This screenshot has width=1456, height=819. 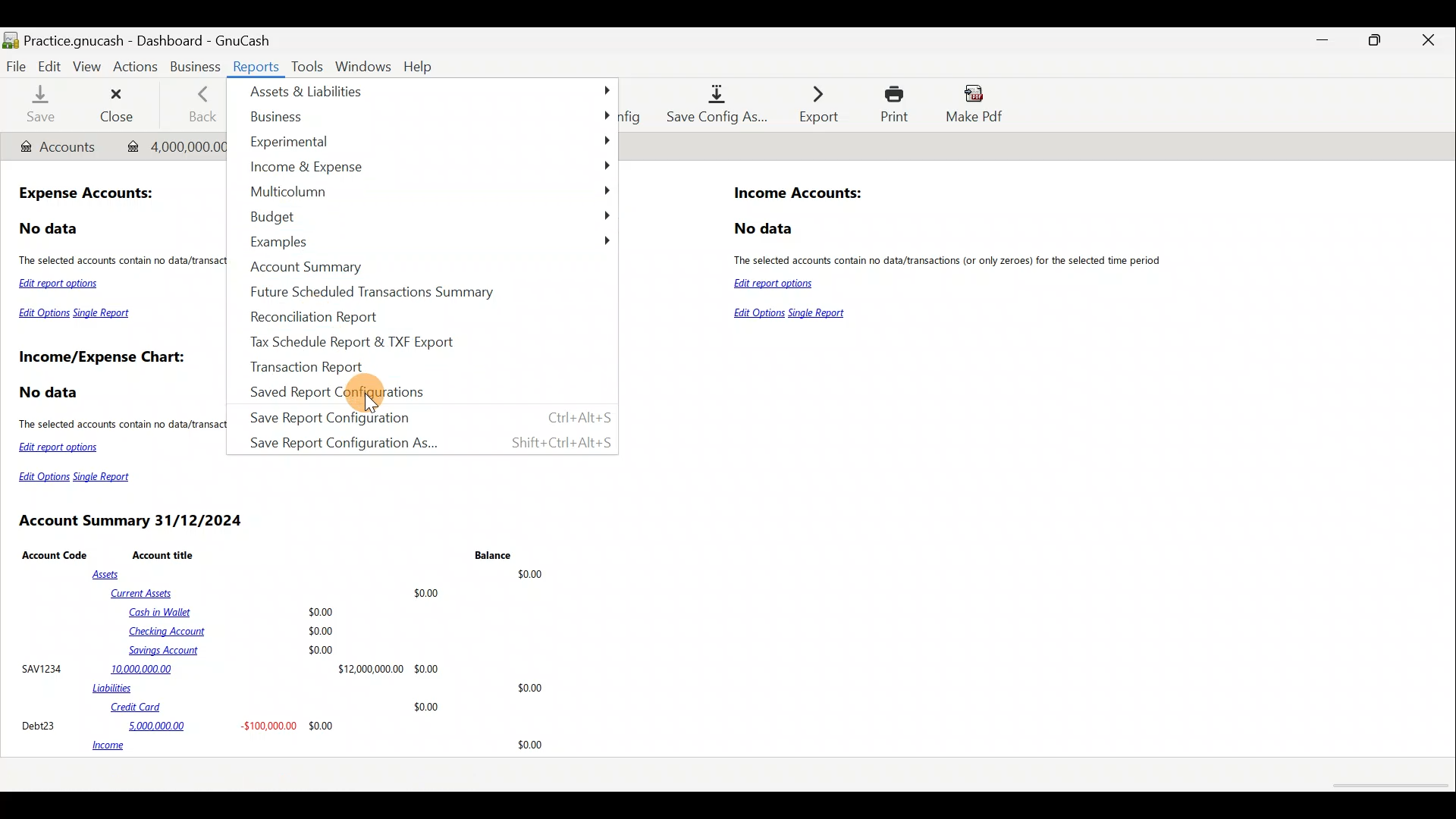 What do you see at coordinates (17, 65) in the screenshot?
I see `File` at bounding box center [17, 65].